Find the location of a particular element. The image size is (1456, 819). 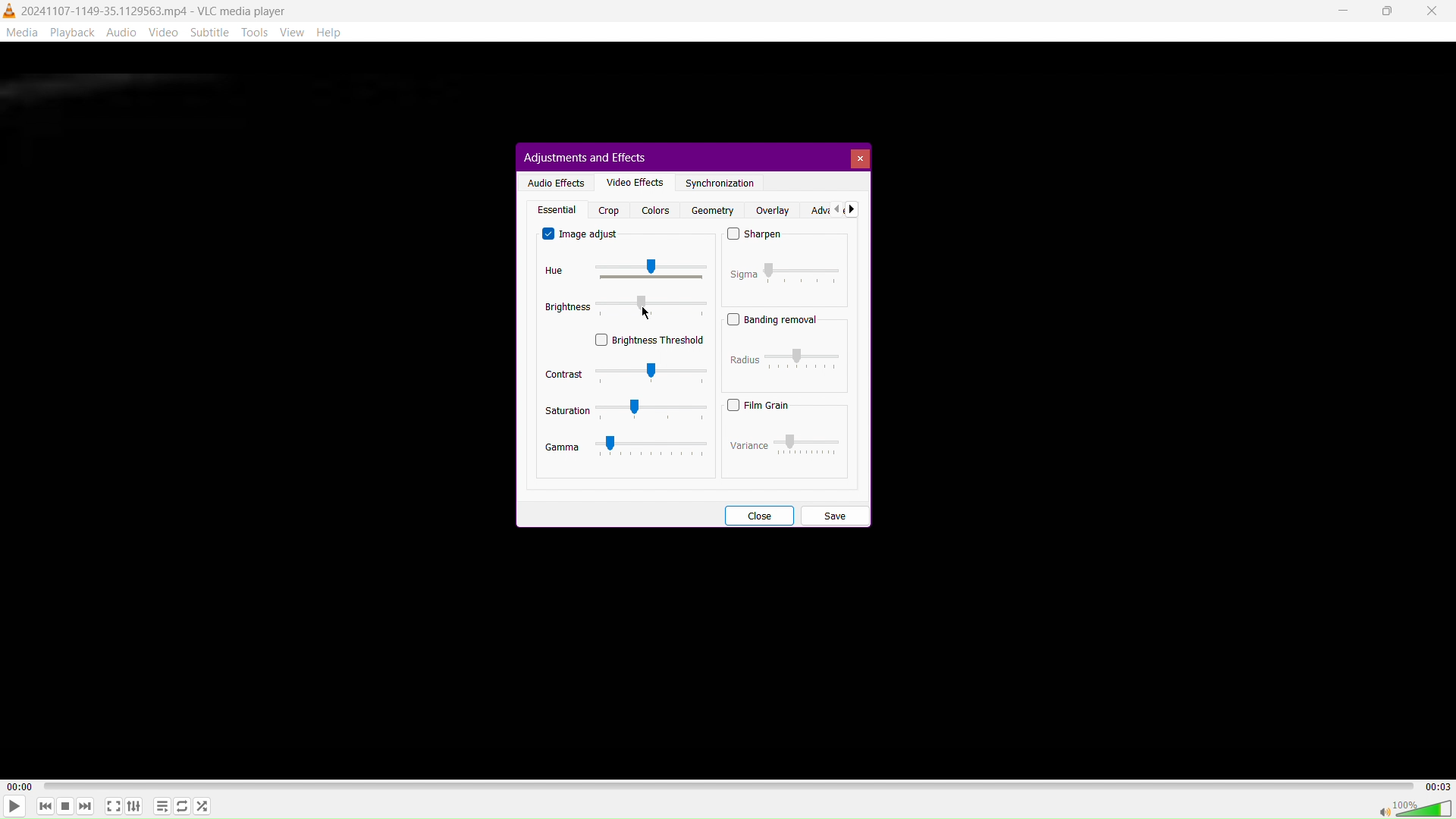

Skip Back is located at coordinates (44, 807).